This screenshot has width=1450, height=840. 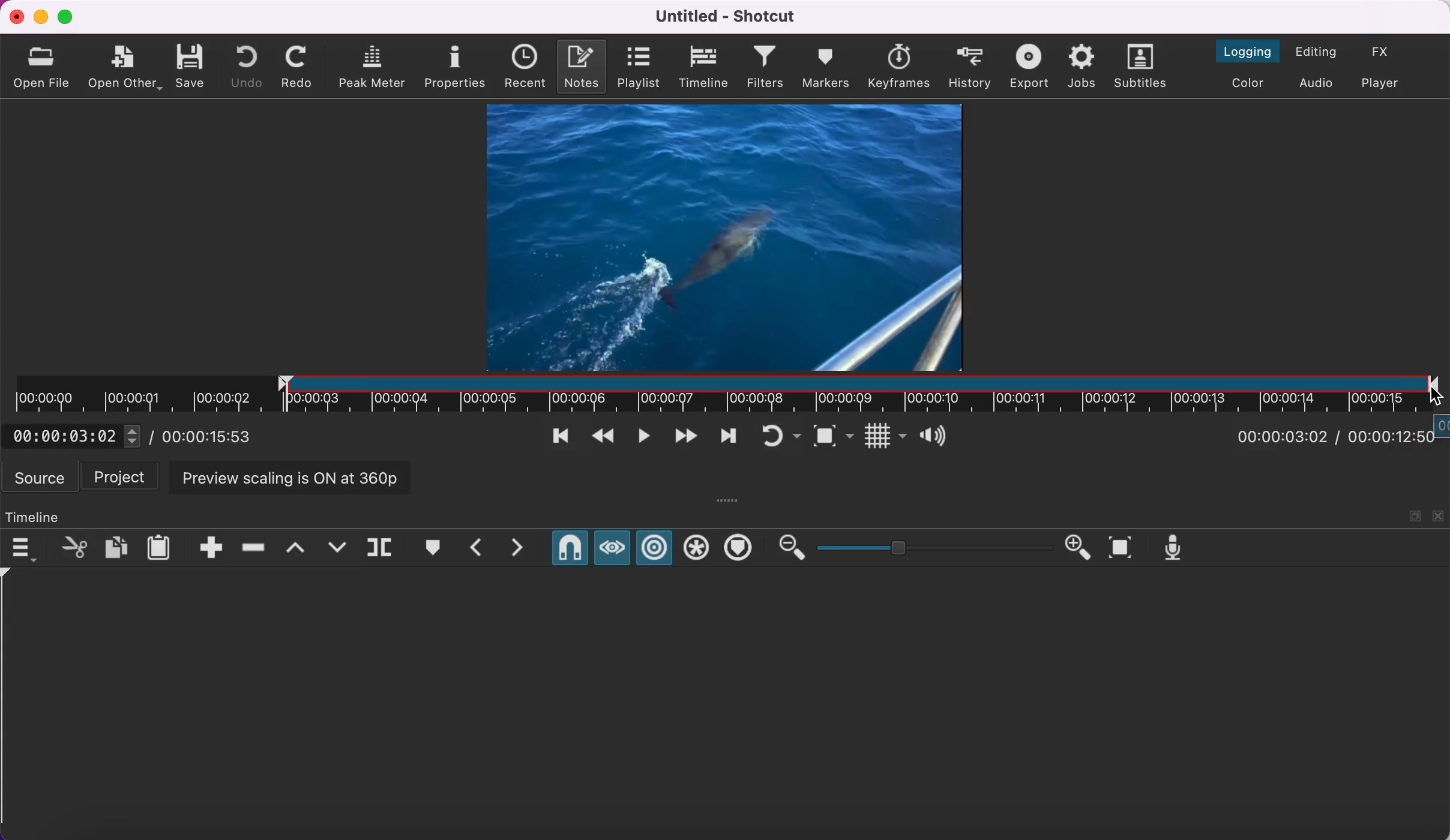 What do you see at coordinates (115, 547) in the screenshot?
I see `copy checked filters` at bounding box center [115, 547].